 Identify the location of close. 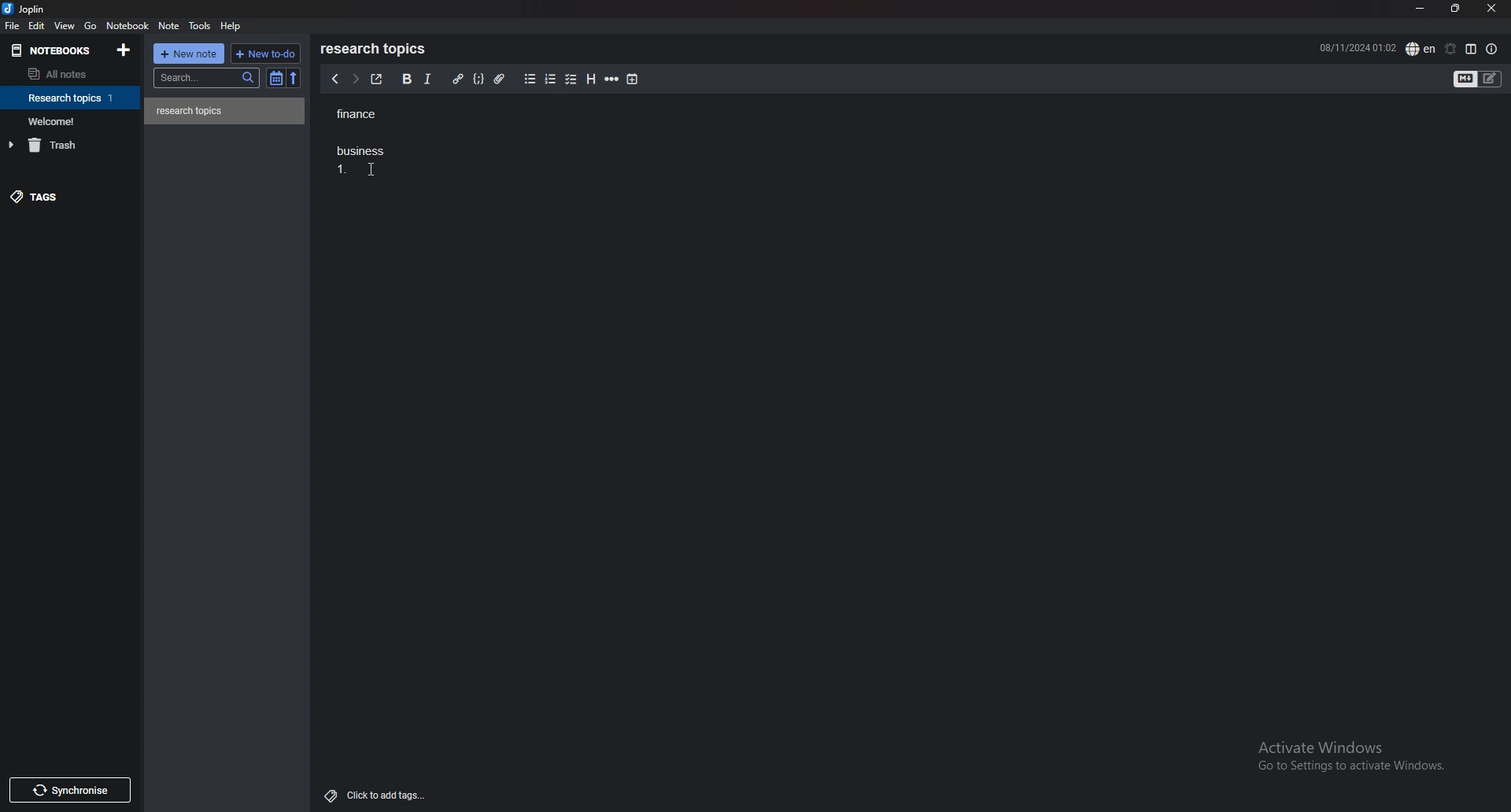
(1491, 9).